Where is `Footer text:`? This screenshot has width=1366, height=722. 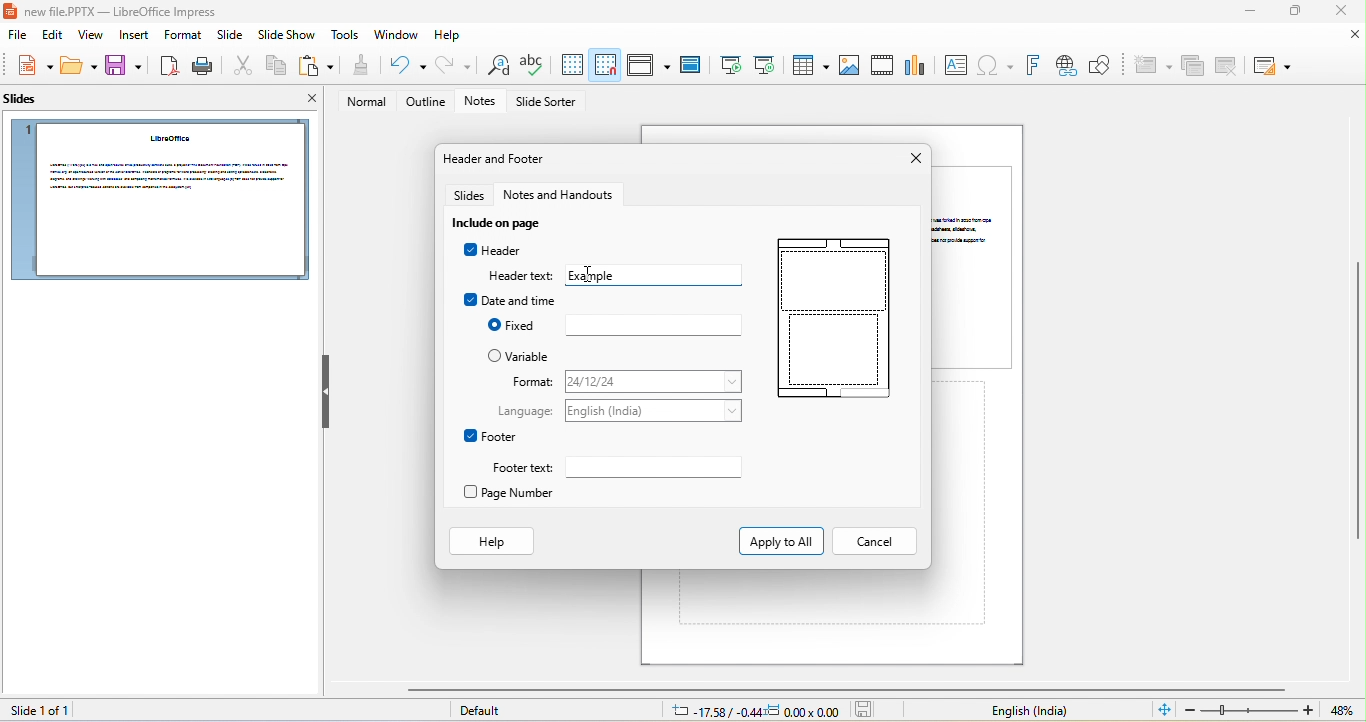 Footer text: is located at coordinates (517, 468).